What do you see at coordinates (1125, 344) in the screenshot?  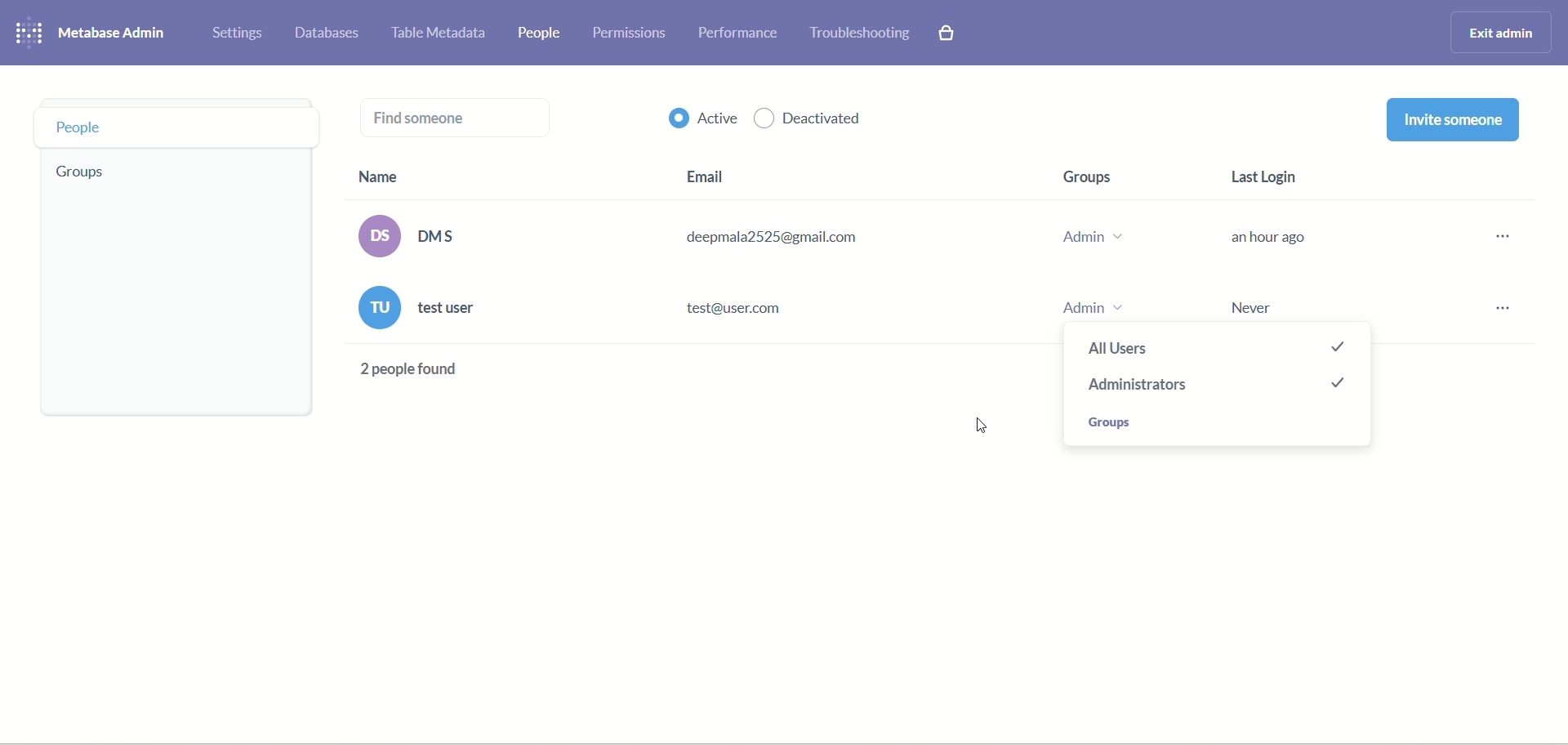 I see `all users` at bounding box center [1125, 344].